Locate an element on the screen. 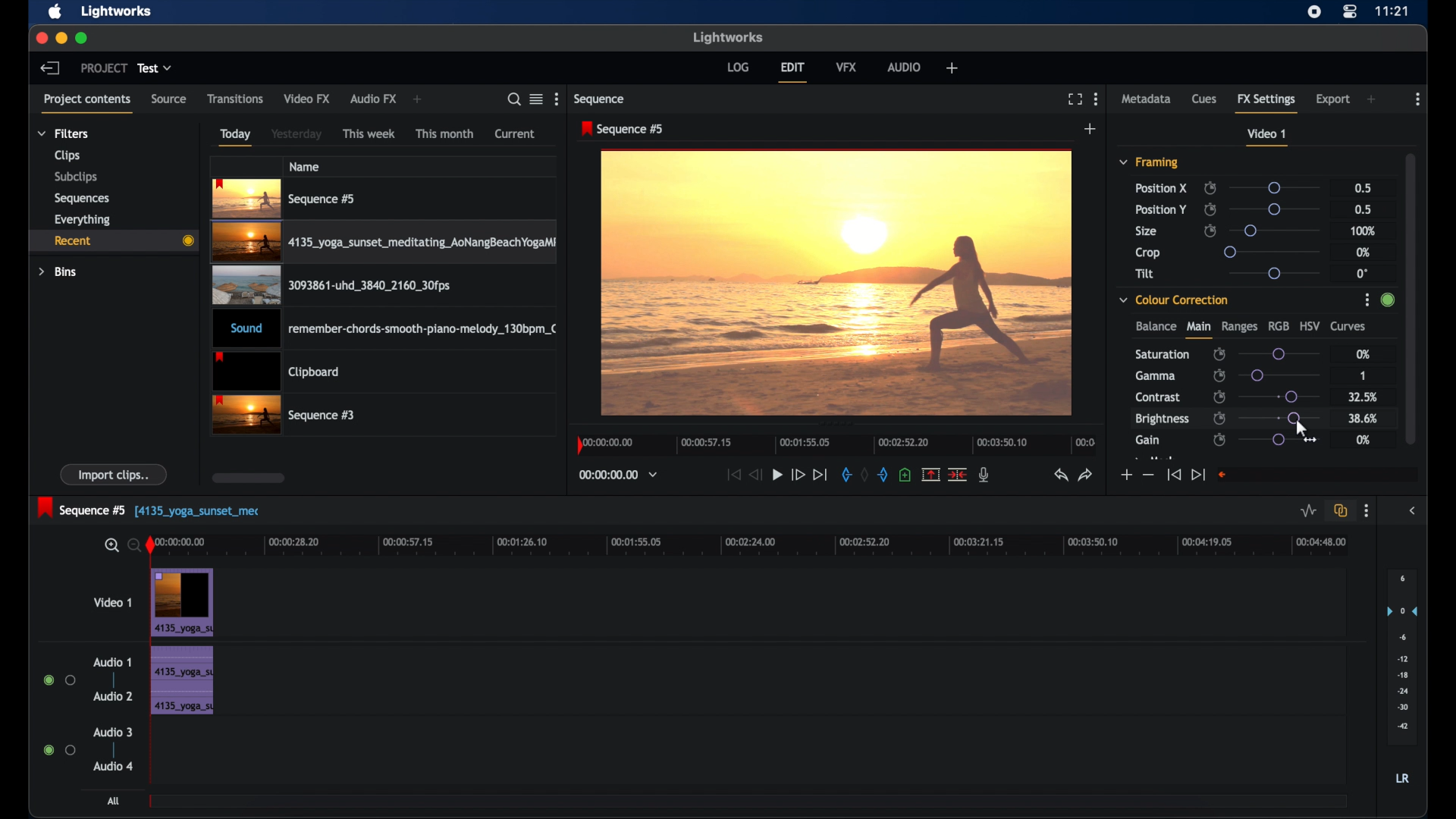 The image size is (1456, 819). clips is located at coordinates (67, 156).